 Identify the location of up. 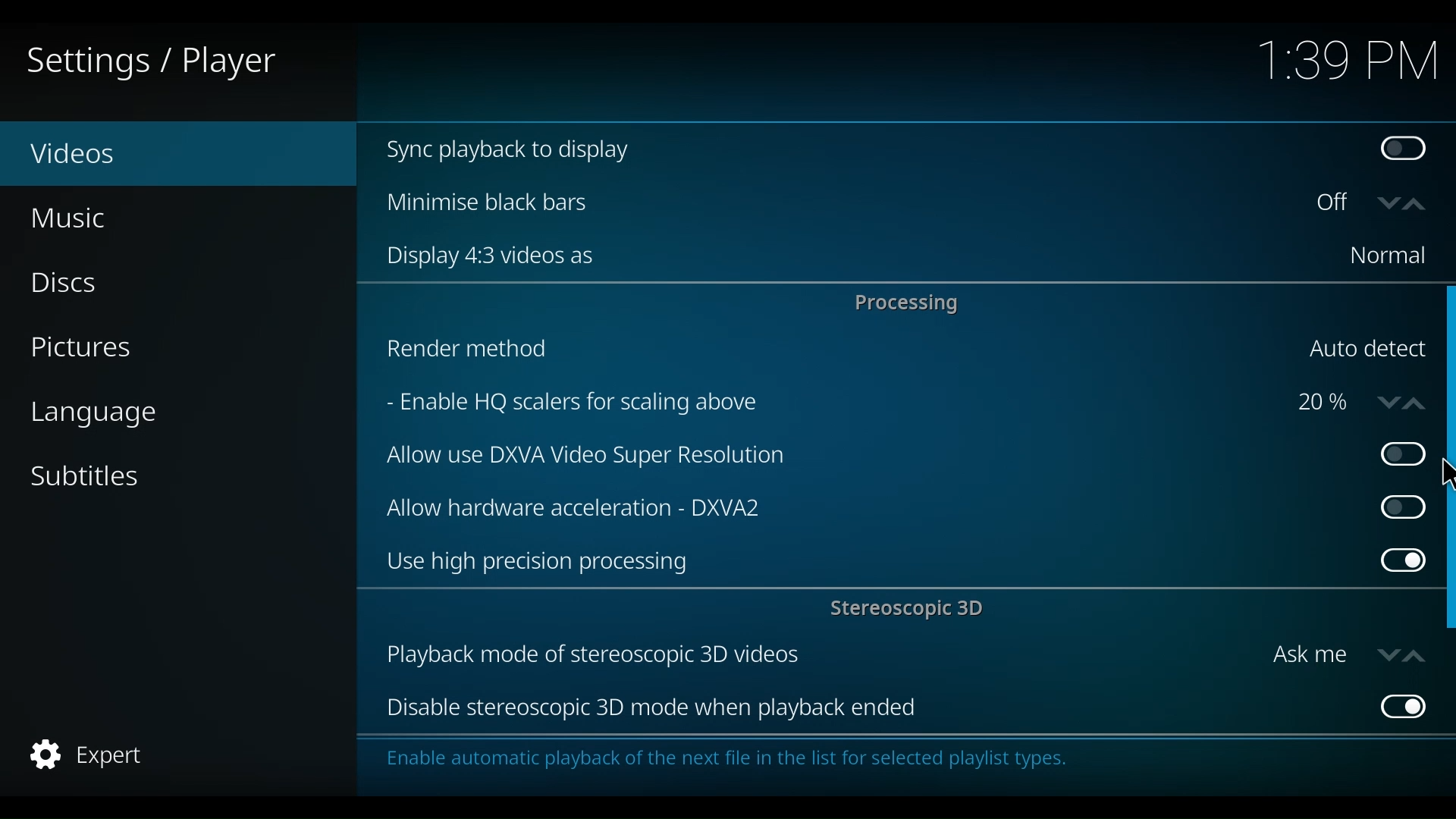
(1417, 400).